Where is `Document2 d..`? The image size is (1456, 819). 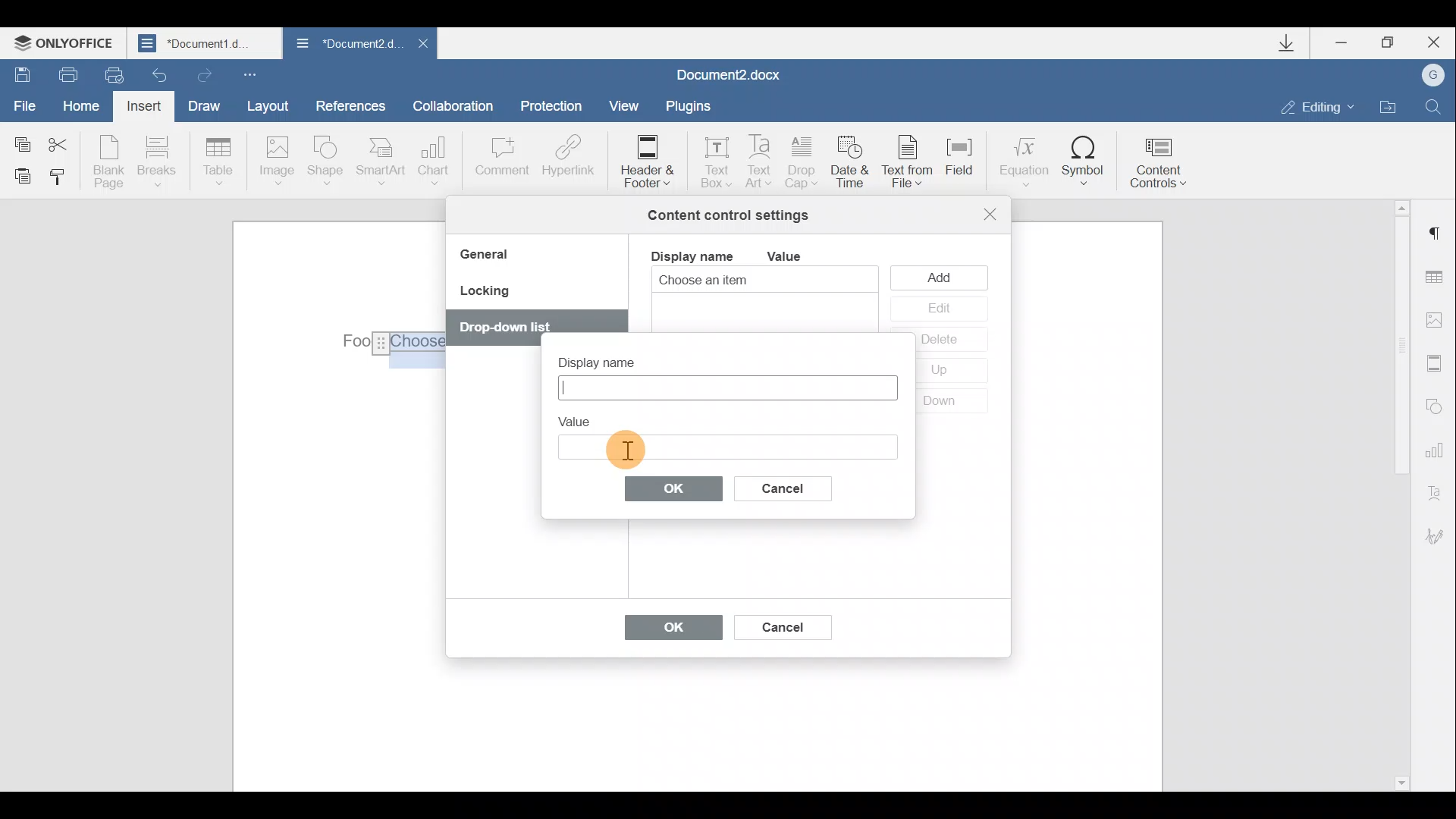
Document2 d.. is located at coordinates (347, 46).